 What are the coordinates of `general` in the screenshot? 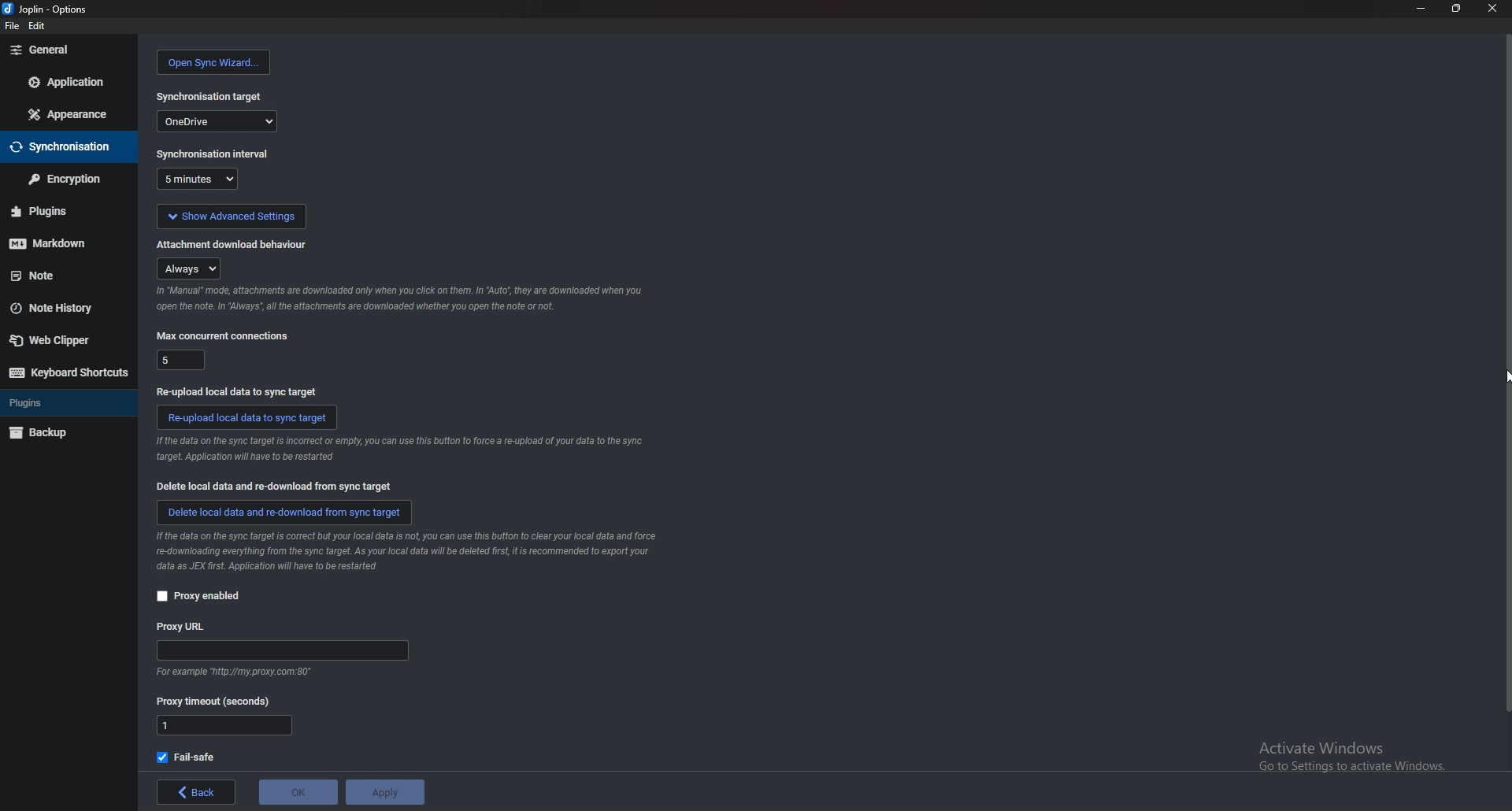 It's located at (69, 50).